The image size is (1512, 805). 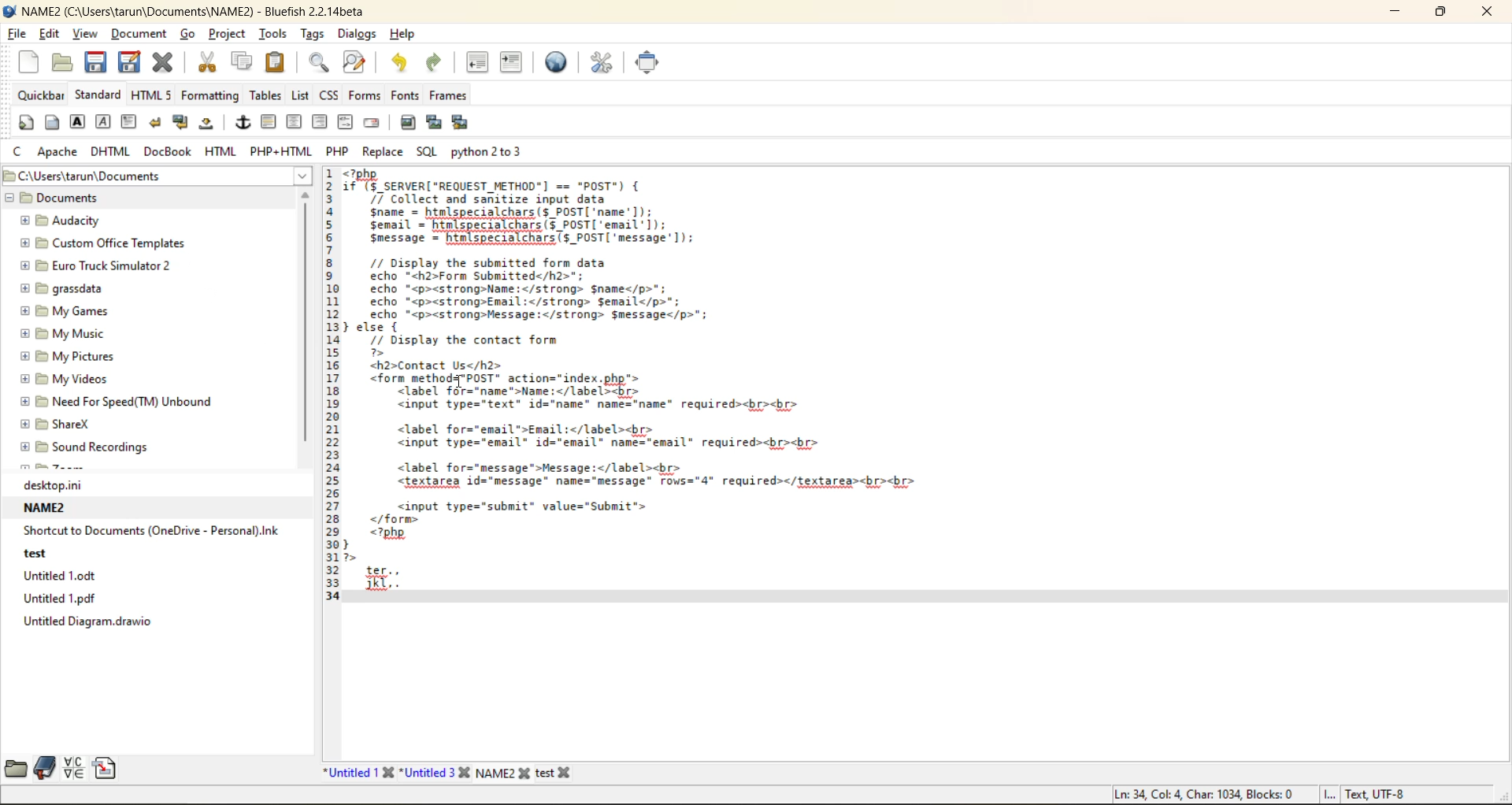 I want to click on audacity, so click(x=78, y=221).